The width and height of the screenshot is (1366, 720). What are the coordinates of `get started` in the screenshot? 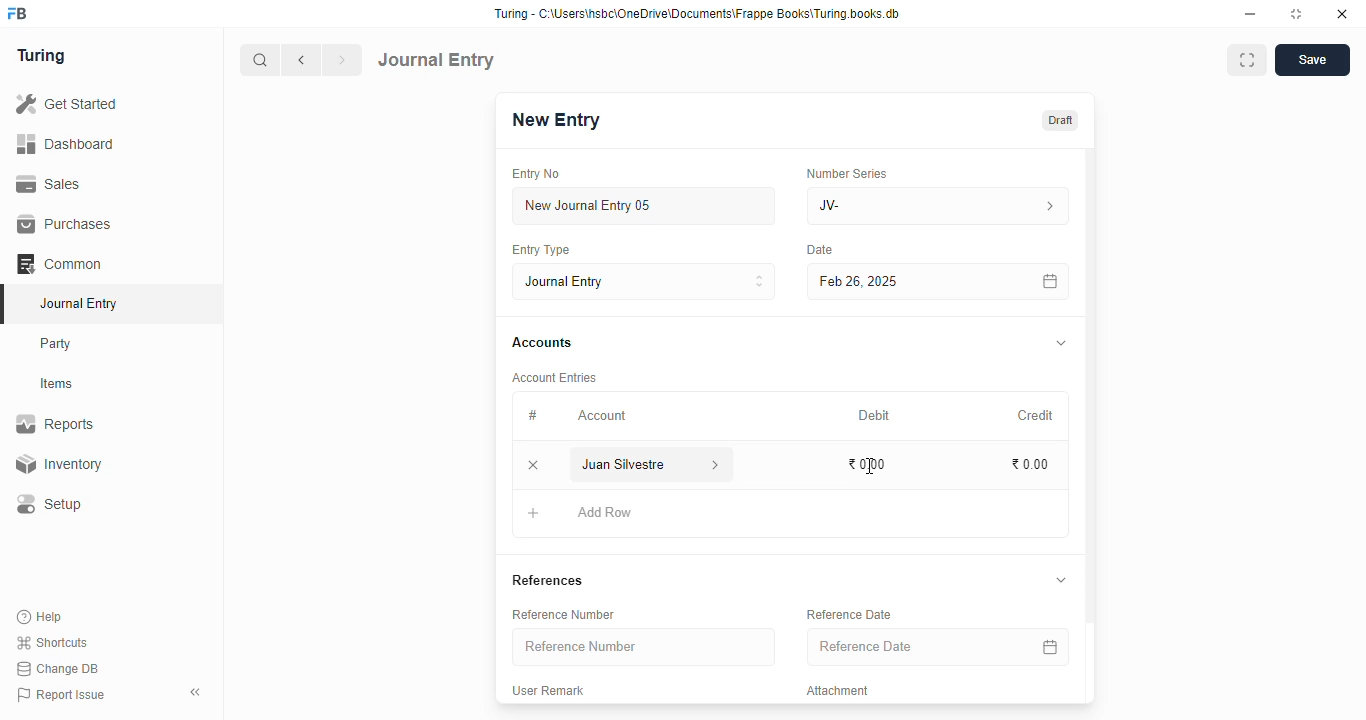 It's located at (68, 104).